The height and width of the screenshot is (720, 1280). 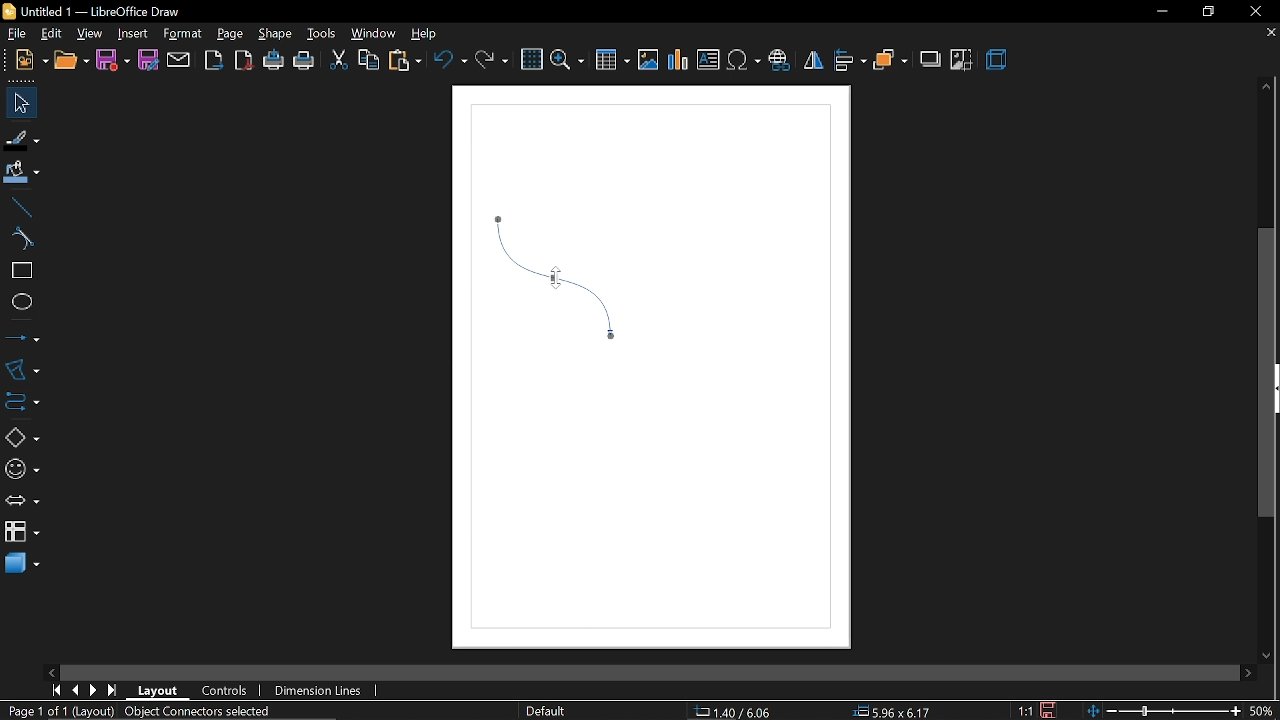 What do you see at coordinates (131, 32) in the screenshot?
I see `Insert` at bounding box center [131, 32].